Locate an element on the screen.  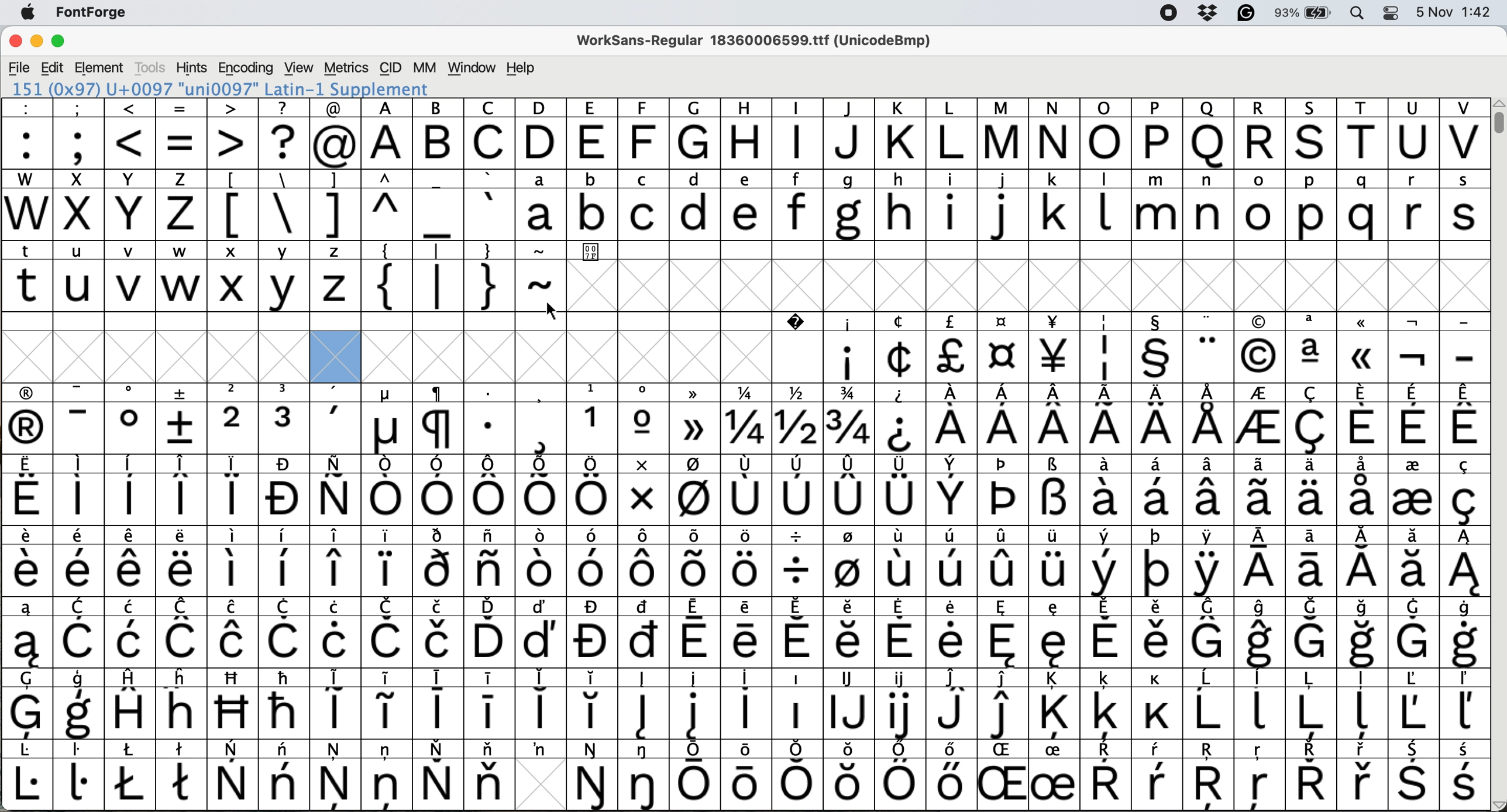
N is located at coordinates (1054, 135).